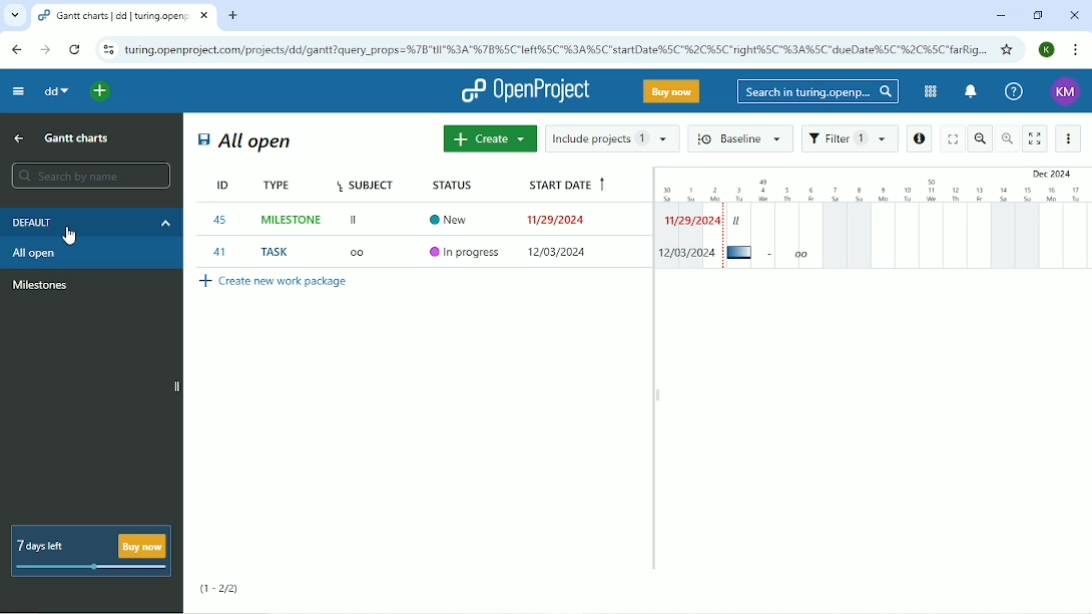 This screenshot has height=614, width=1092. What do you see at coordinates (557, 50) in the screenshot?
I see `Site` at bounding box center [557, 50].